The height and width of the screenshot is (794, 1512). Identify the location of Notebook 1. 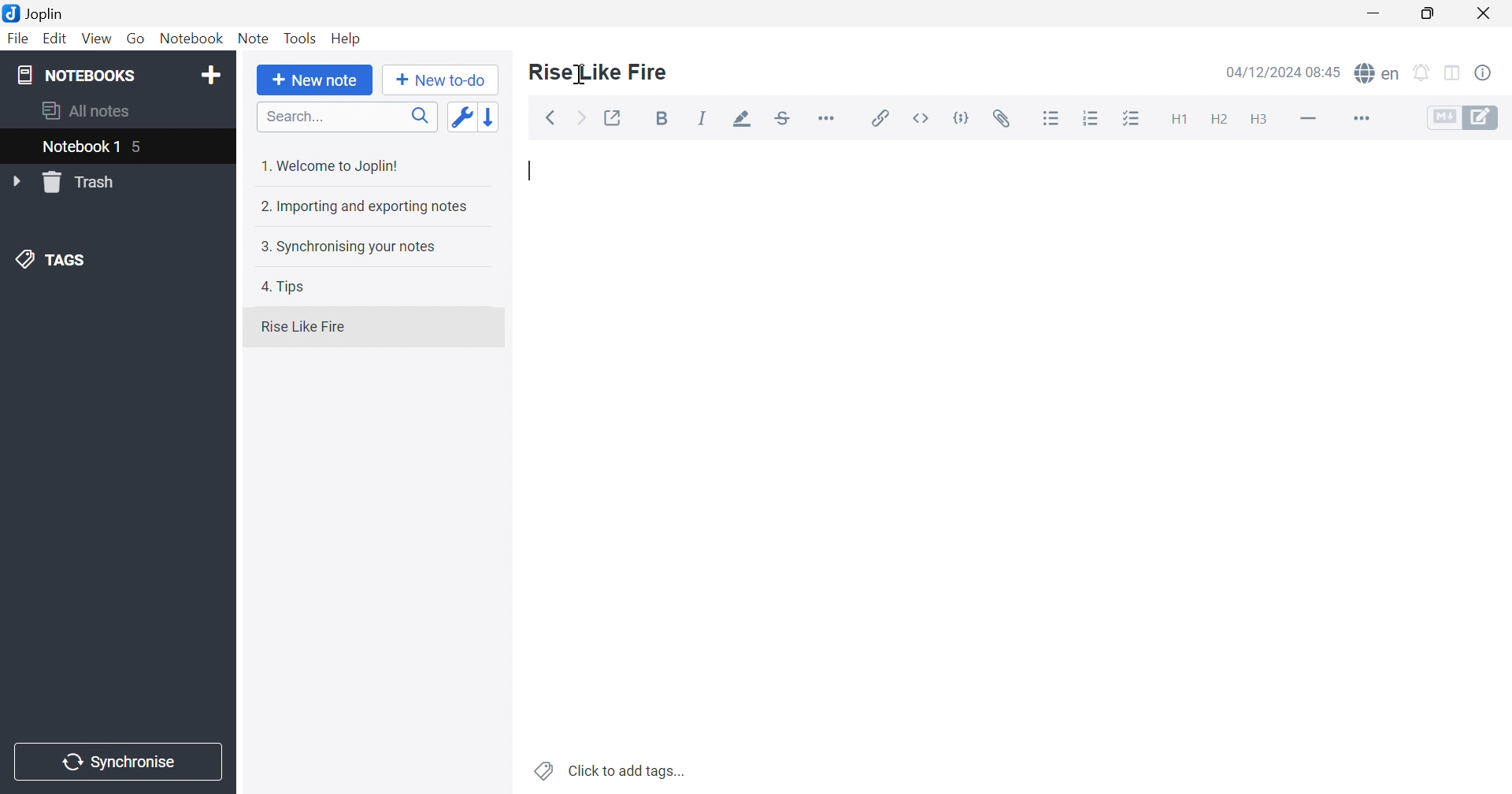
(79, 149).